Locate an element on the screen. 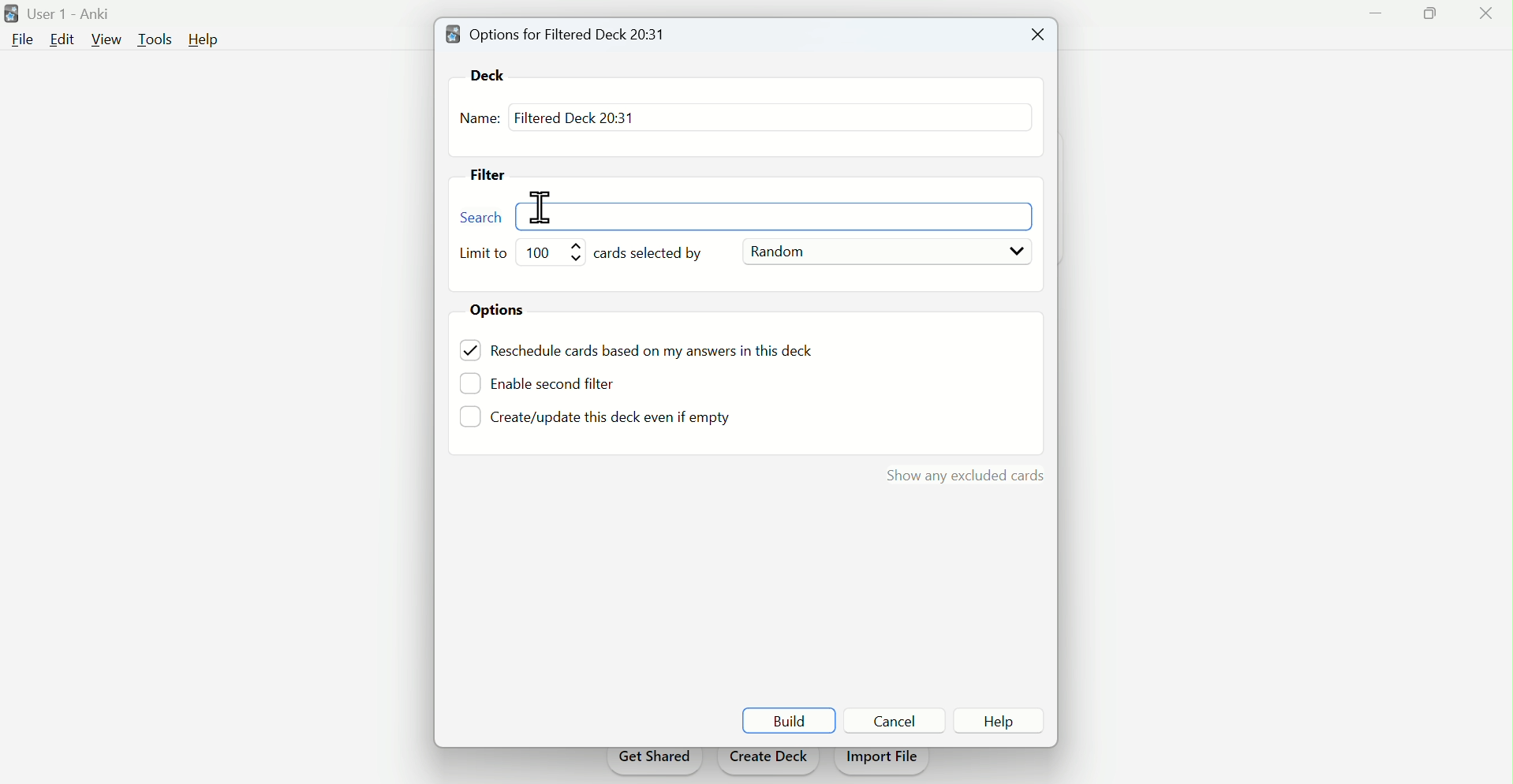 The image size is (1513, 784). Maximise is located at coordinates (1423, 20).